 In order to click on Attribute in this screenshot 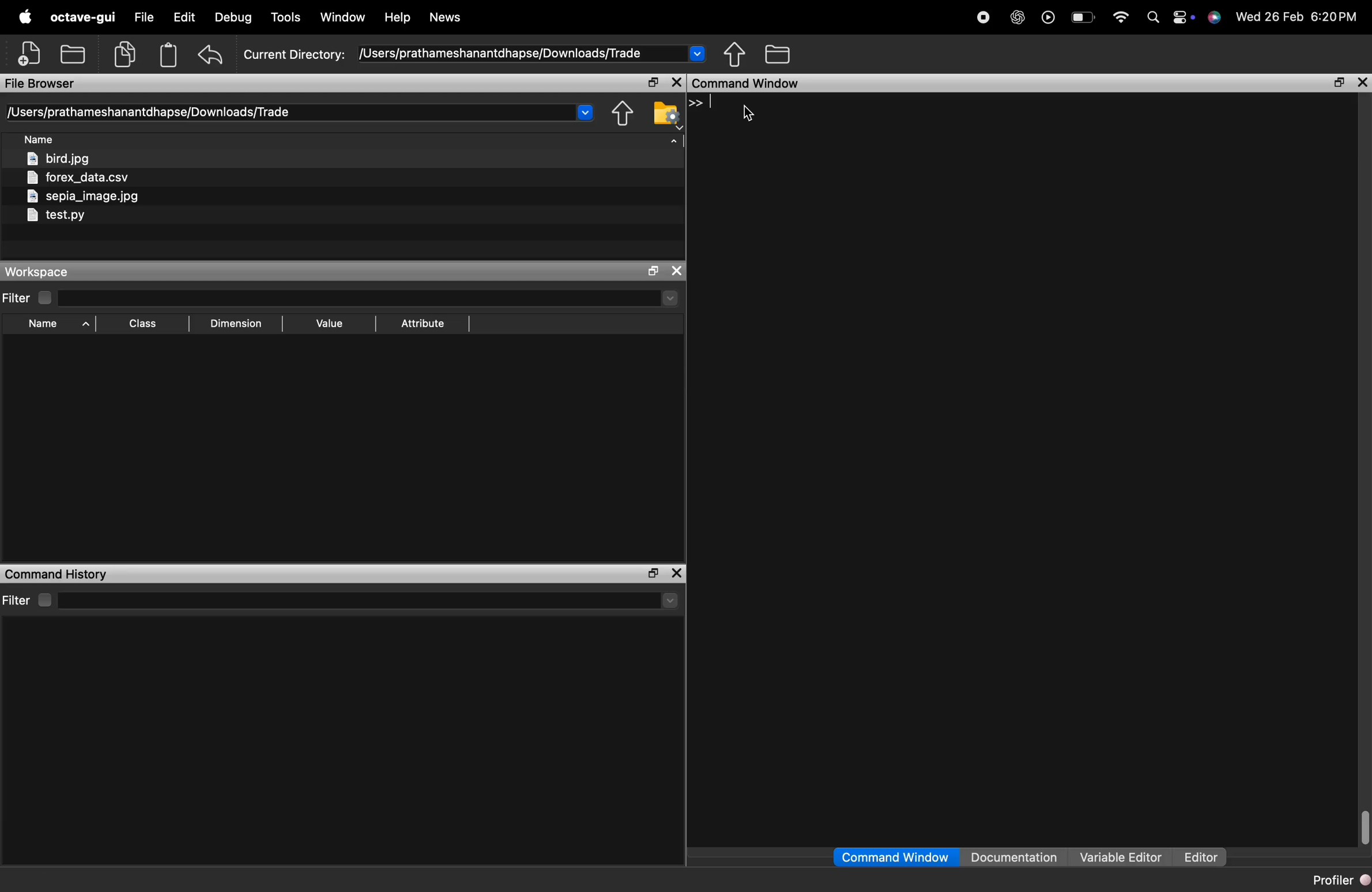, I will do `click(424, 324)`.